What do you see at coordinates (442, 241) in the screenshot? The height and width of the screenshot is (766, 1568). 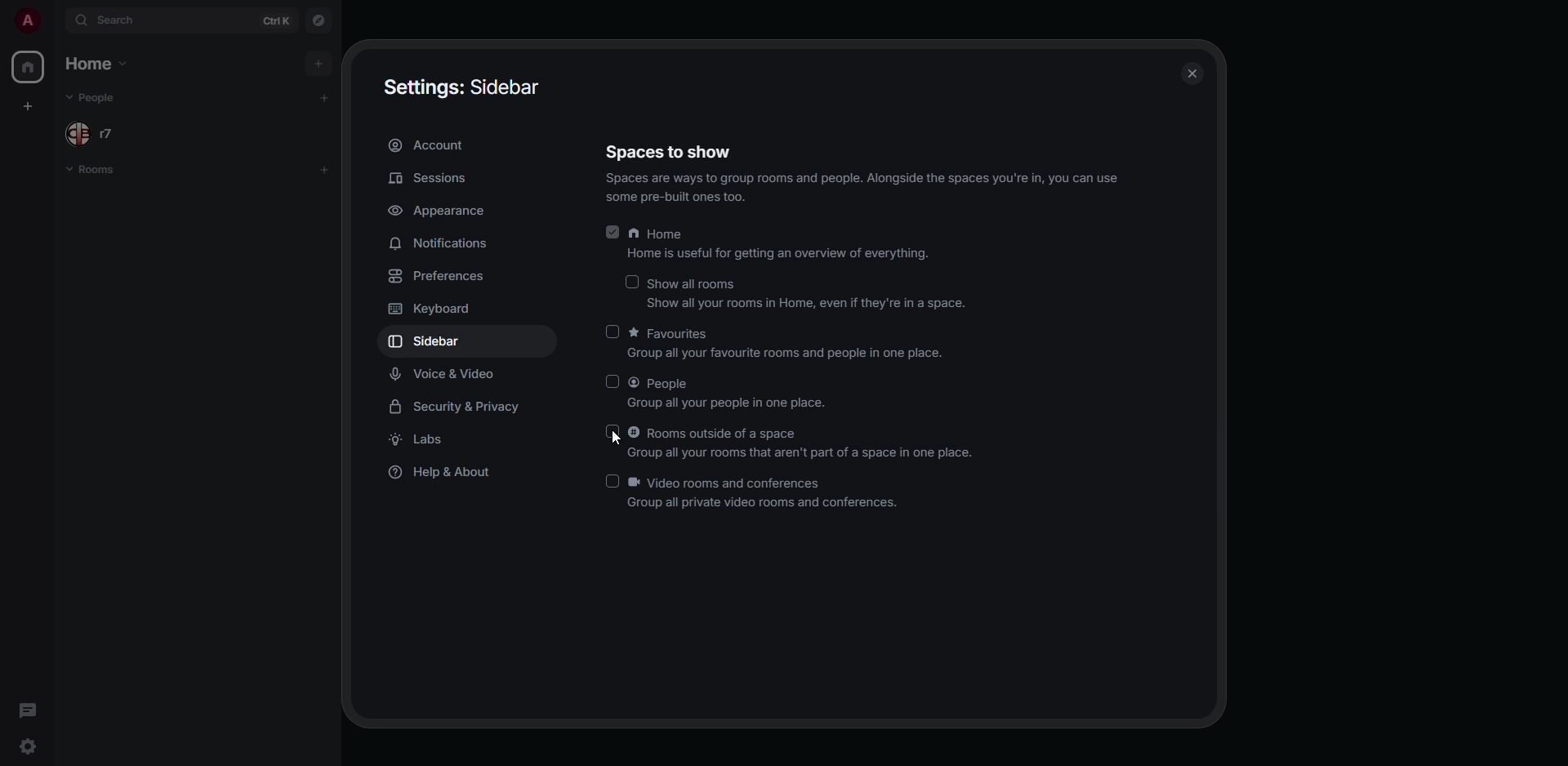 I see `notifications` at bounding box center [442, 241].